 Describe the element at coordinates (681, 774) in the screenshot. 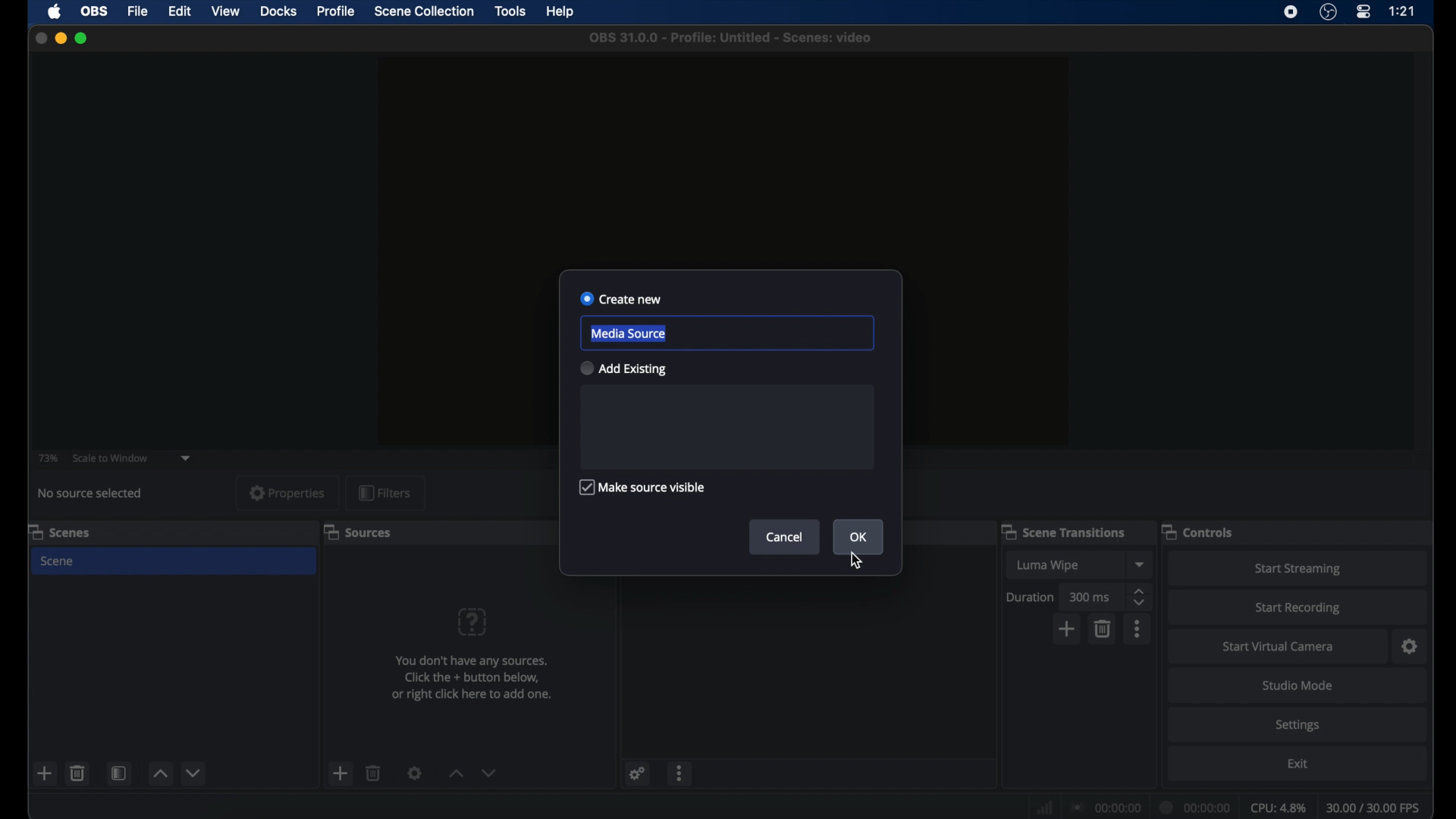

I see `more options` at that location.